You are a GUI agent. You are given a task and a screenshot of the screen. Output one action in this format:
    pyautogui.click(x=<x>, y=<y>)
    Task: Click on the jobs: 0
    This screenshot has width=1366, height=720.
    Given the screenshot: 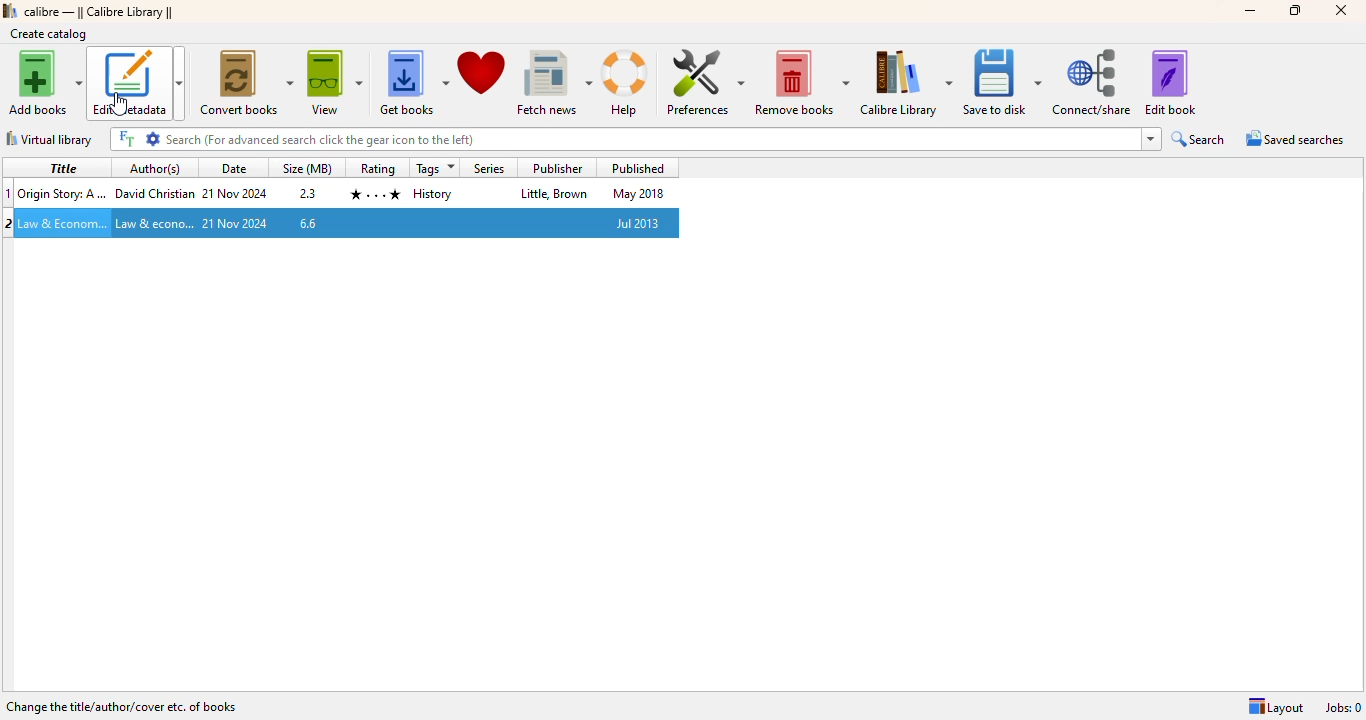 What is the action you would take?
    pyautogui.click(x=1343, y=707)
    